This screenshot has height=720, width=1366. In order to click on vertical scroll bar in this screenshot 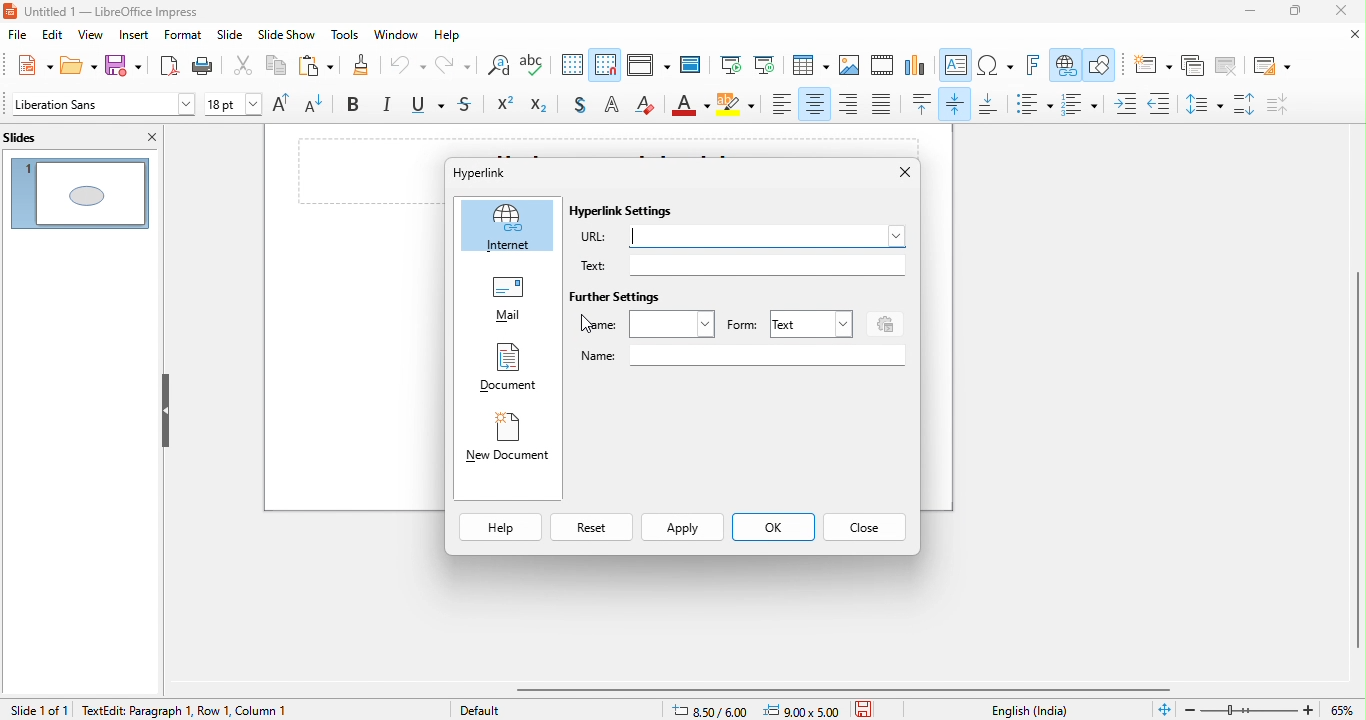, I will do `click(1355, 448)`.